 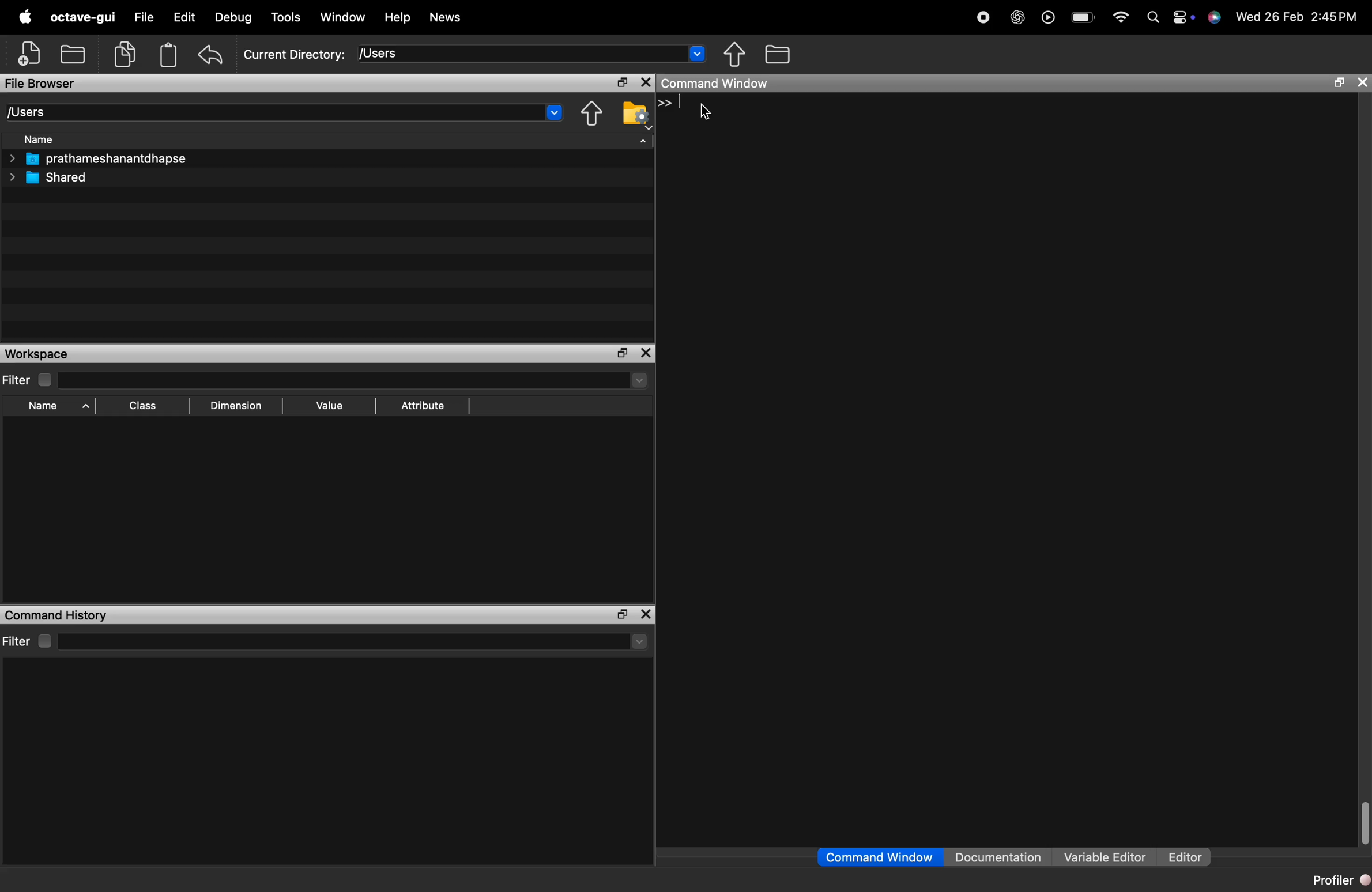 I want to click on 1 Documentation, so click(x=992, y=852).